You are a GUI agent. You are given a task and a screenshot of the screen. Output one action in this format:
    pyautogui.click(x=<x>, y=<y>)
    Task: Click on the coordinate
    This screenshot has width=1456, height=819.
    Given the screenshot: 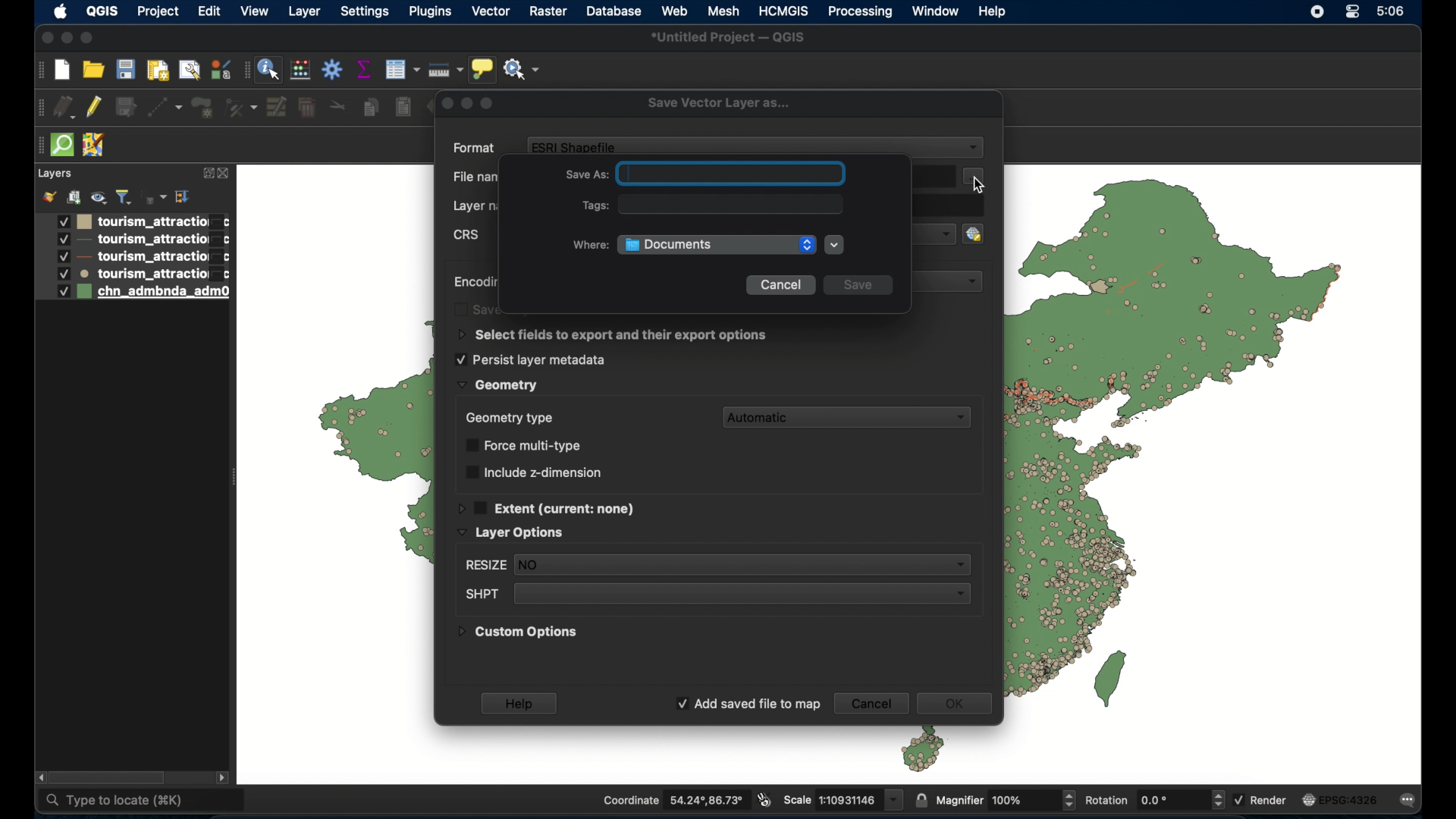 What is the action you would take?
    pyautogui.click(x=674, y=799)
    